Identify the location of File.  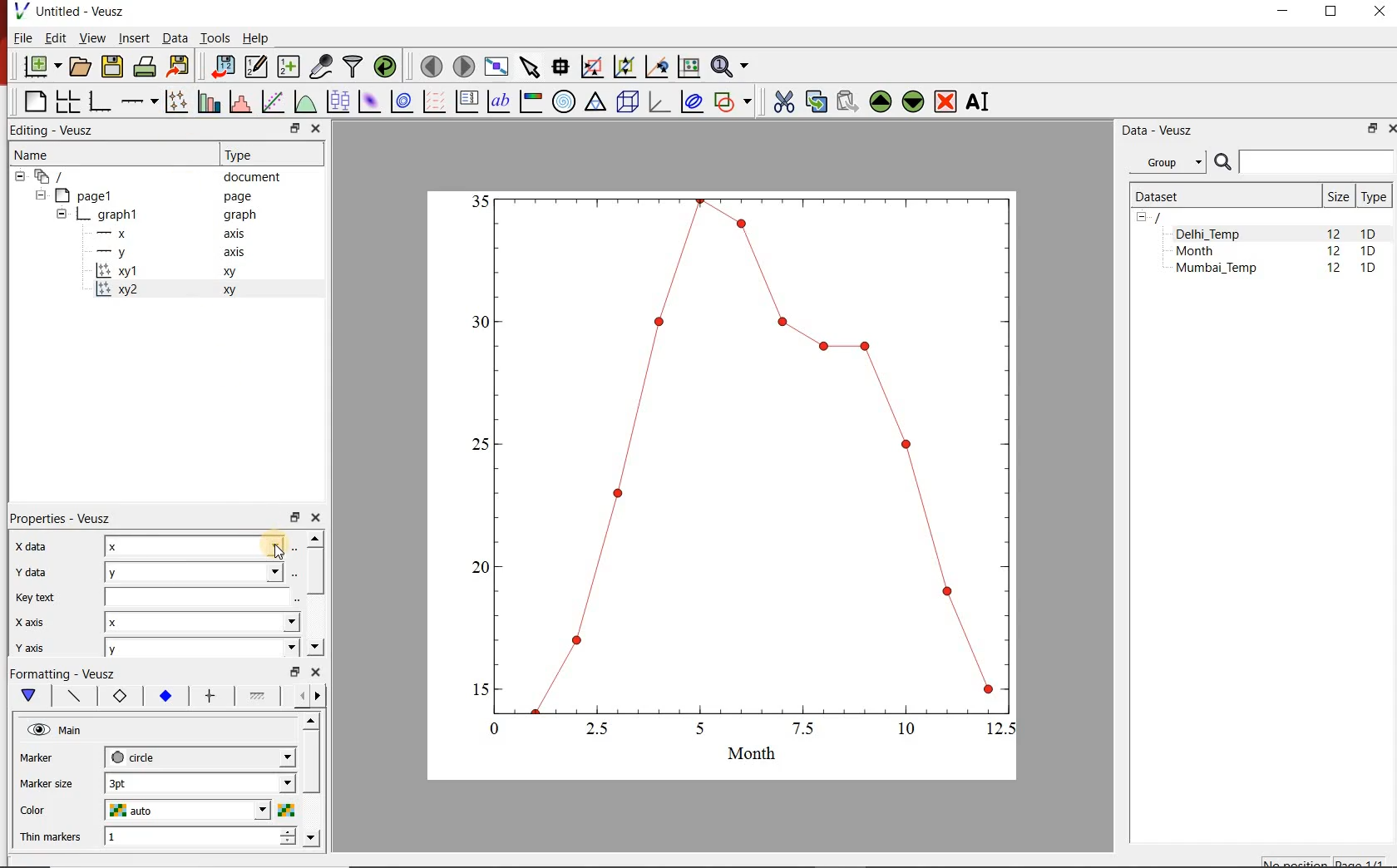
(22, 37).